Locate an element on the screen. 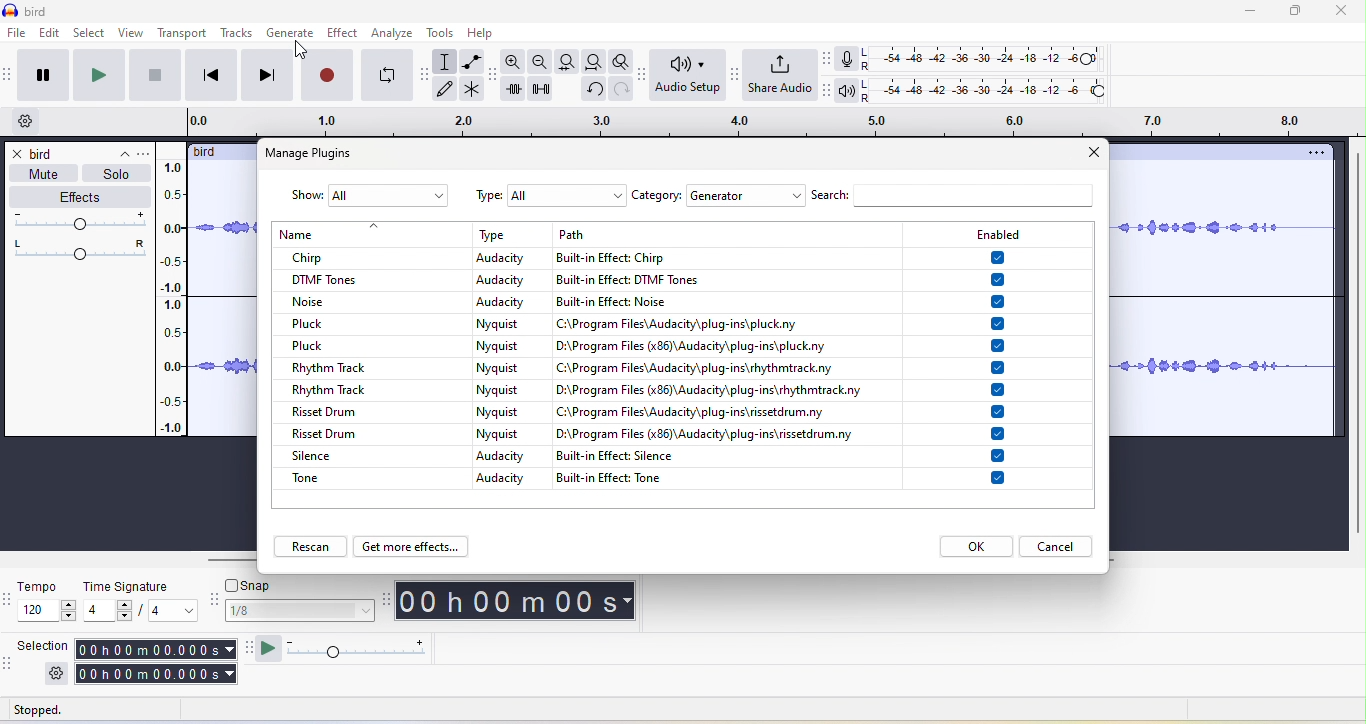 The image size is (1366, 724). recording level is located at coordinates (991, 59).